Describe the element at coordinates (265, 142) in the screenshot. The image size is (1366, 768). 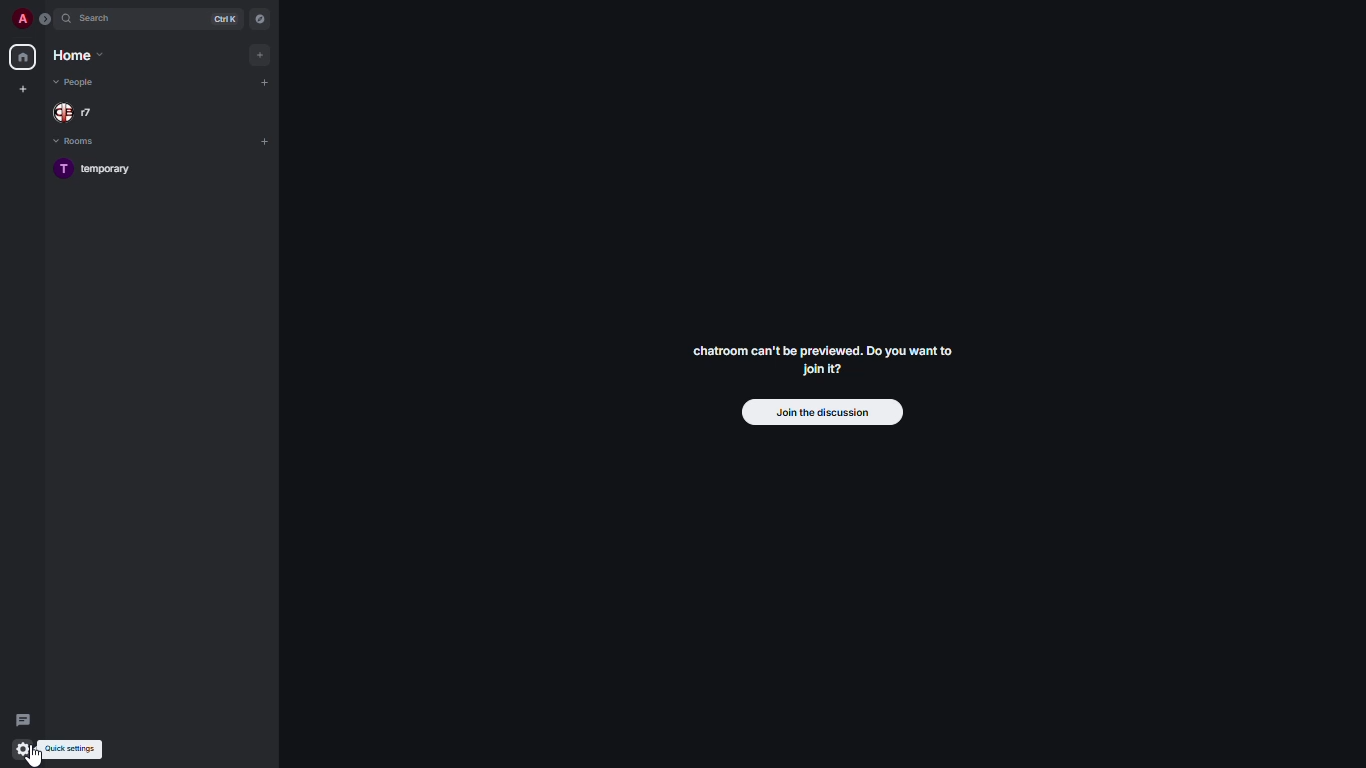
I see `add` at that location.